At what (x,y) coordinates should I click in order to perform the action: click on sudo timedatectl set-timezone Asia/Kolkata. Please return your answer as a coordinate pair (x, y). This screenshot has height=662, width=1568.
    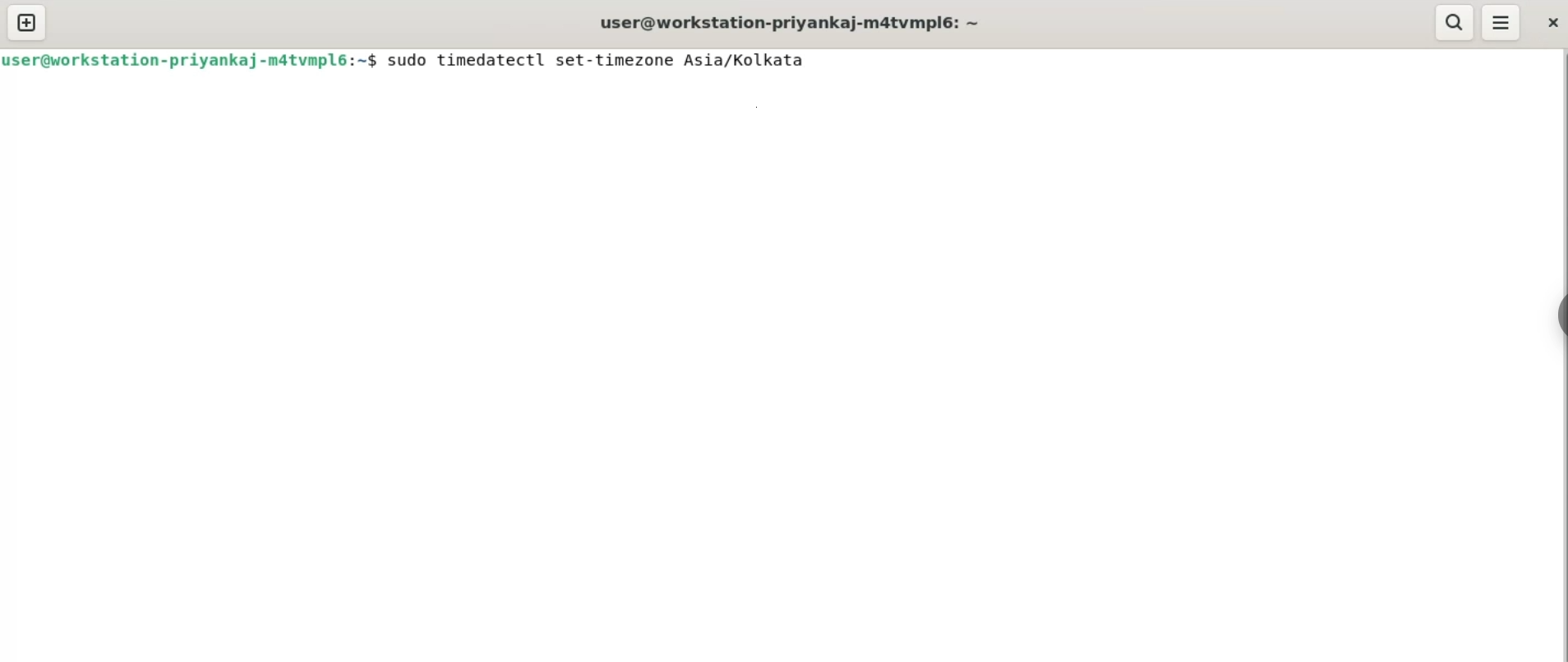
    Looking at the image, I should click on (598, 60).